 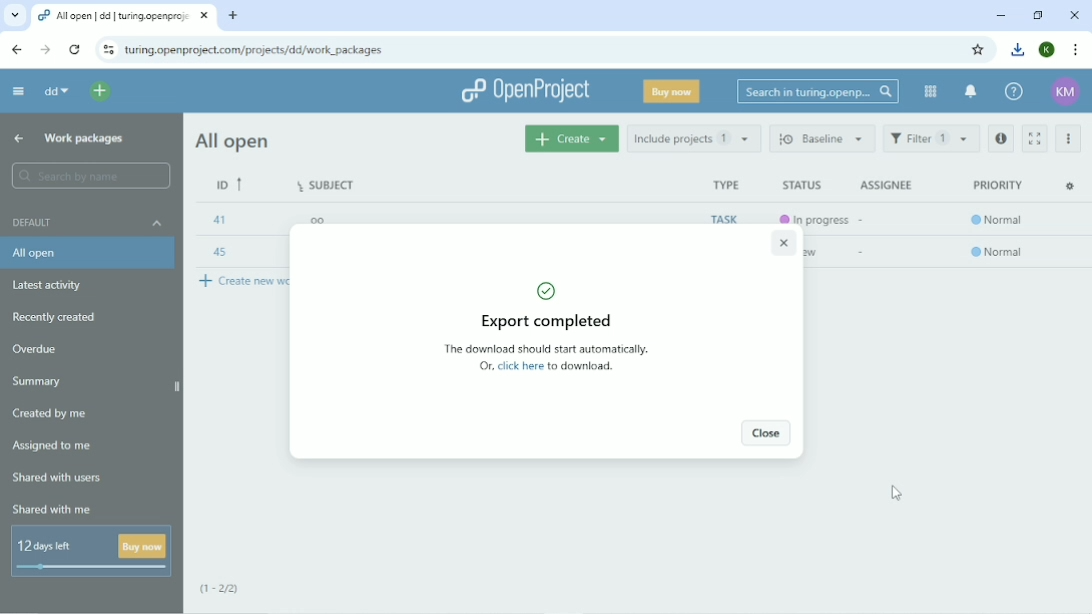 What do you see at coordinates (885, 185) in the screenshot?
I see `Assignee` at bounding box center [885, 185].